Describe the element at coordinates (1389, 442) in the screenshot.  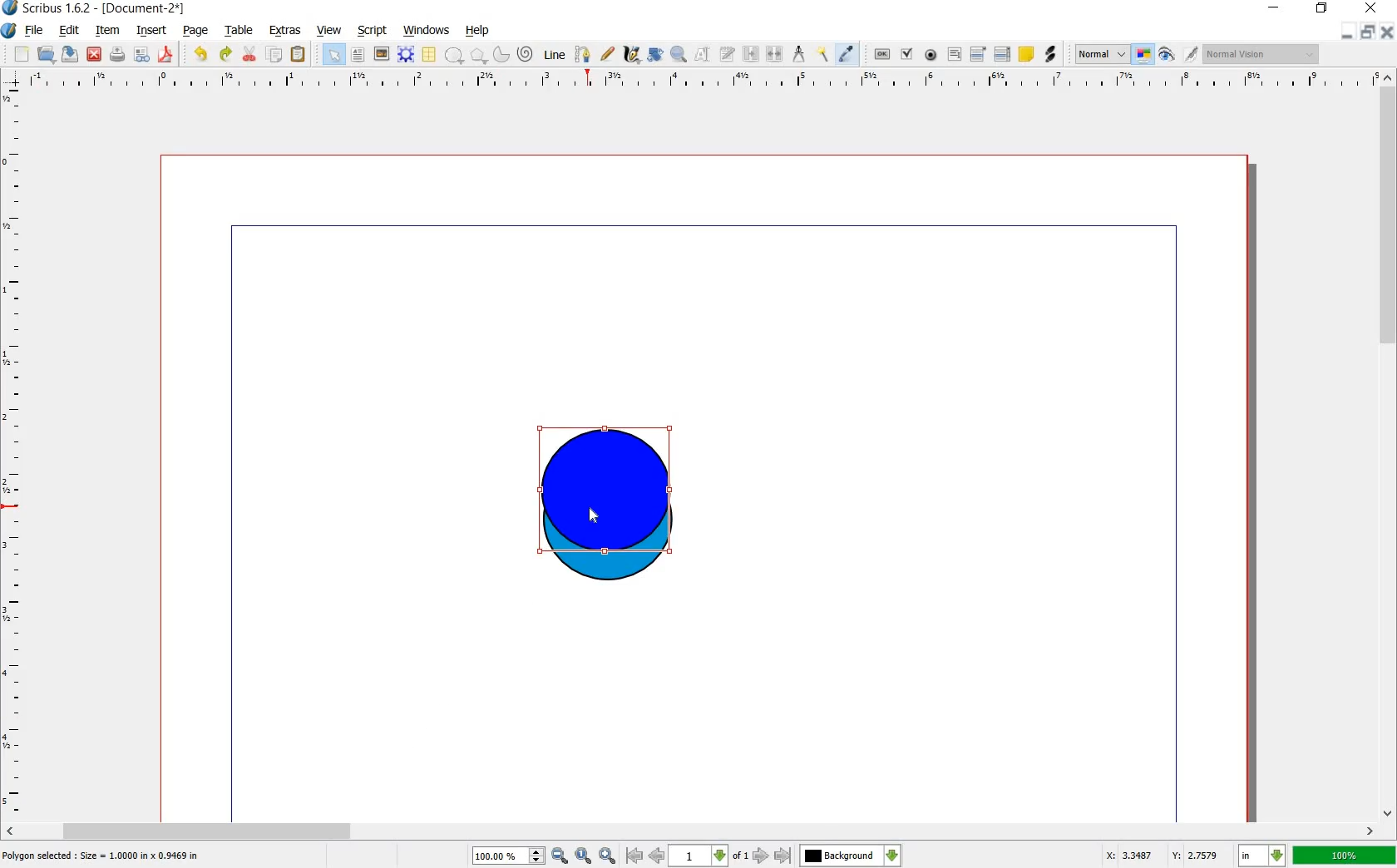
I see `scroll bar` at that location.